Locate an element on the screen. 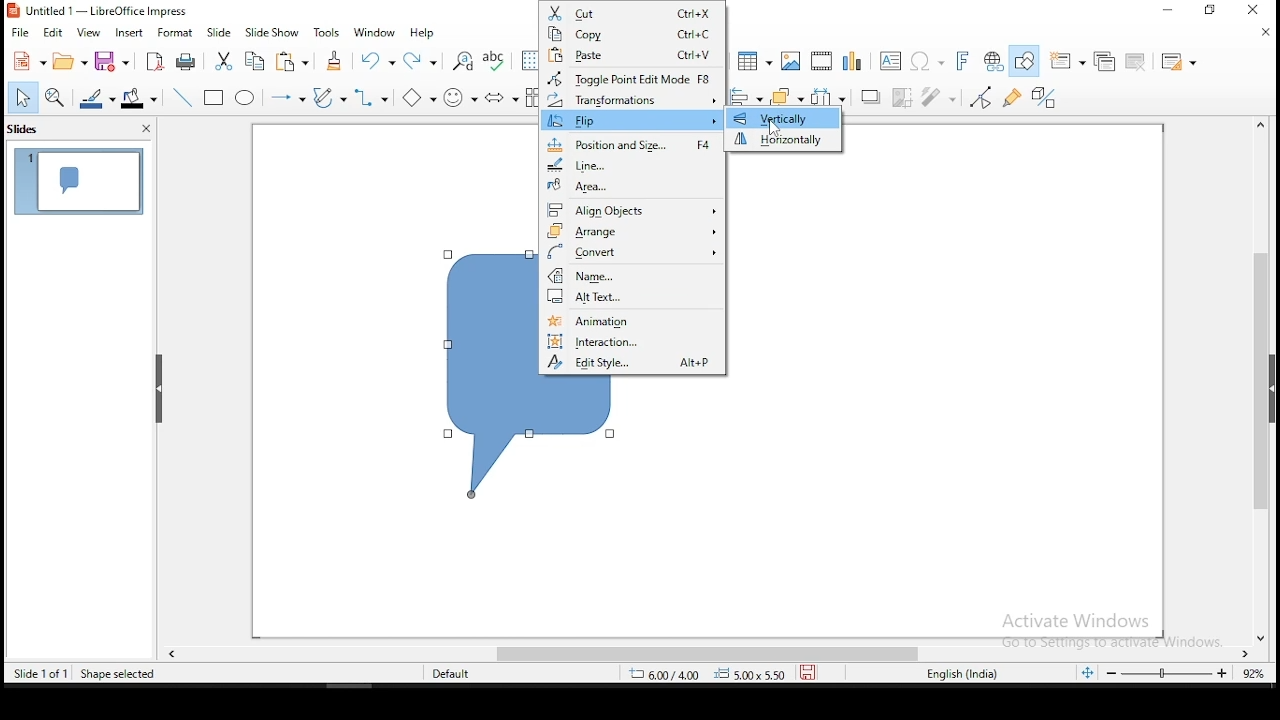  horizontally is located at coordinates (785, 140).